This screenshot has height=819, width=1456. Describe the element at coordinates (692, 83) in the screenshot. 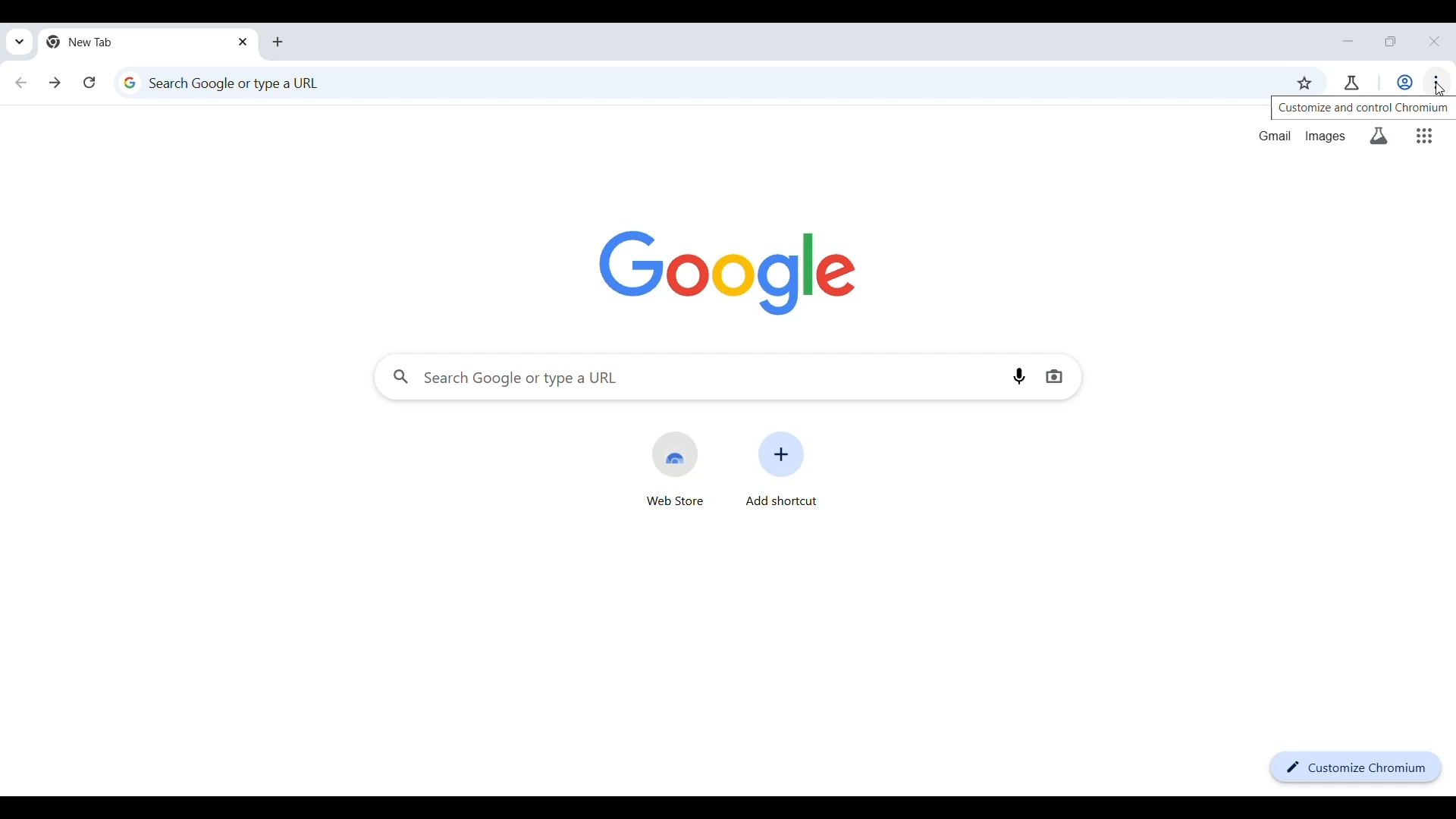

I see `Search Google or enter web link` at that location.